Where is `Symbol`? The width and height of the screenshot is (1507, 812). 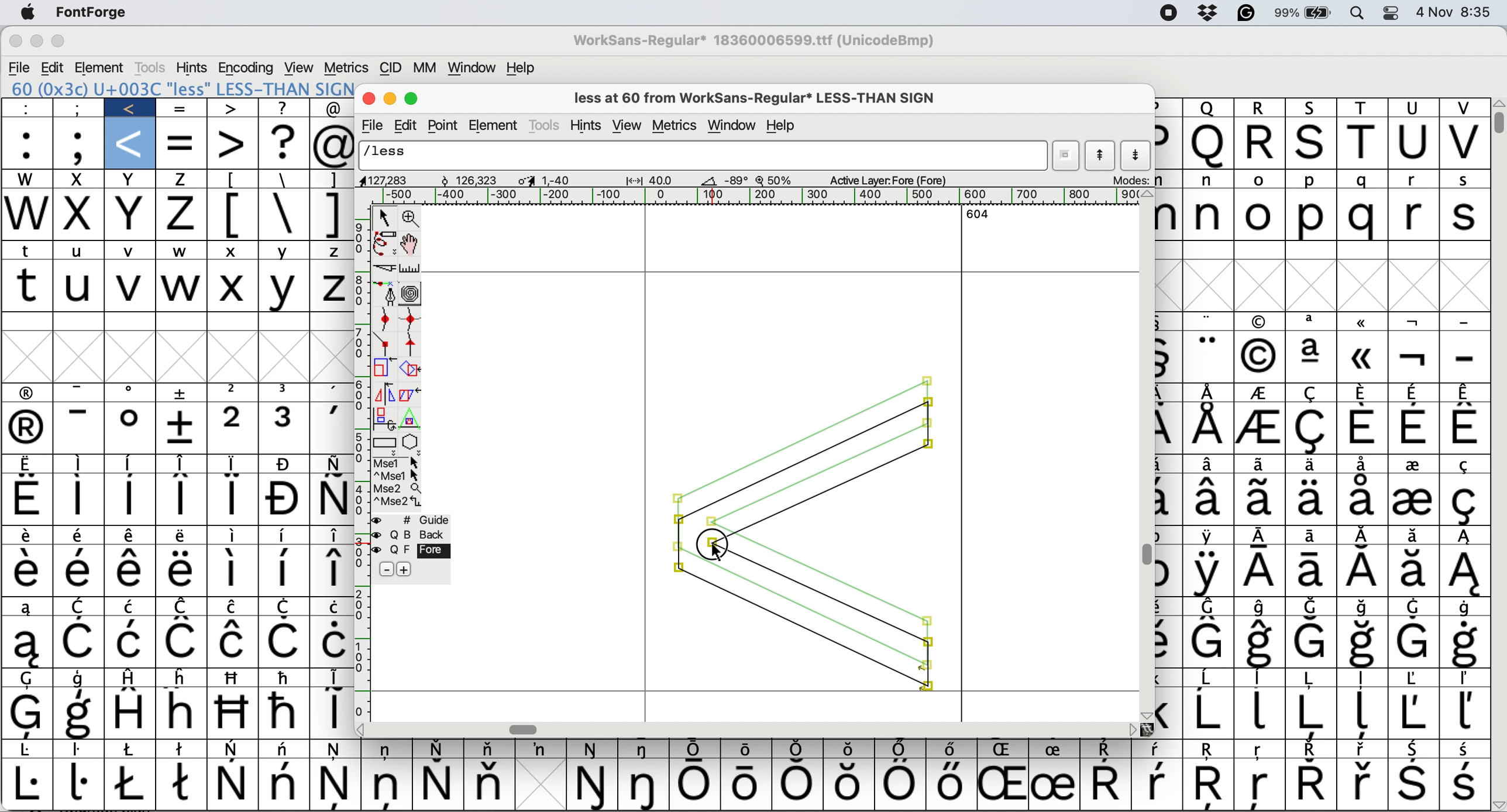
Symbol is located at coordinates (1465, 500).